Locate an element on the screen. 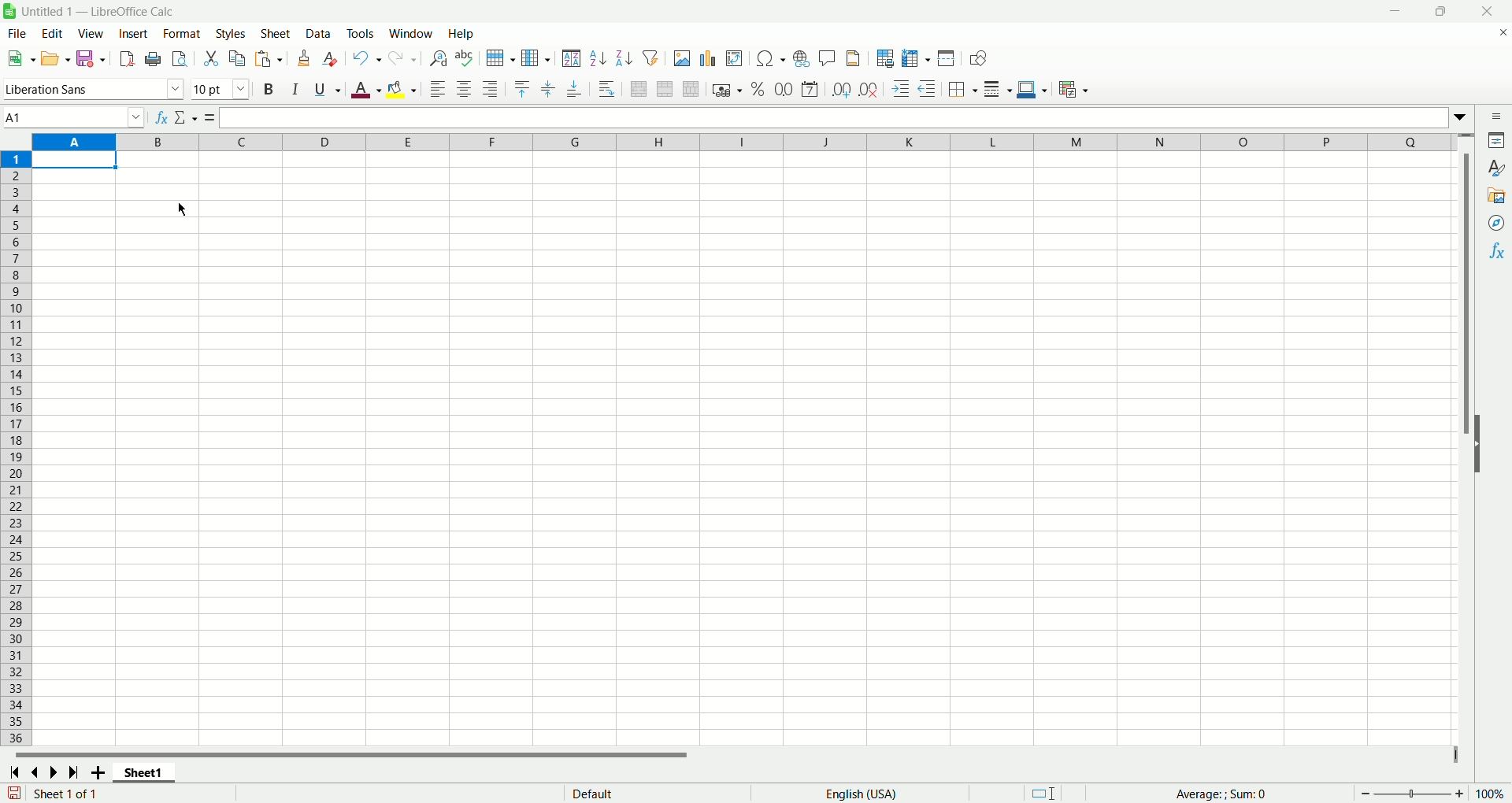 Image resolution: width=1512 pixels, height=803 pixels. condition is located at coordinates (1073, 89).